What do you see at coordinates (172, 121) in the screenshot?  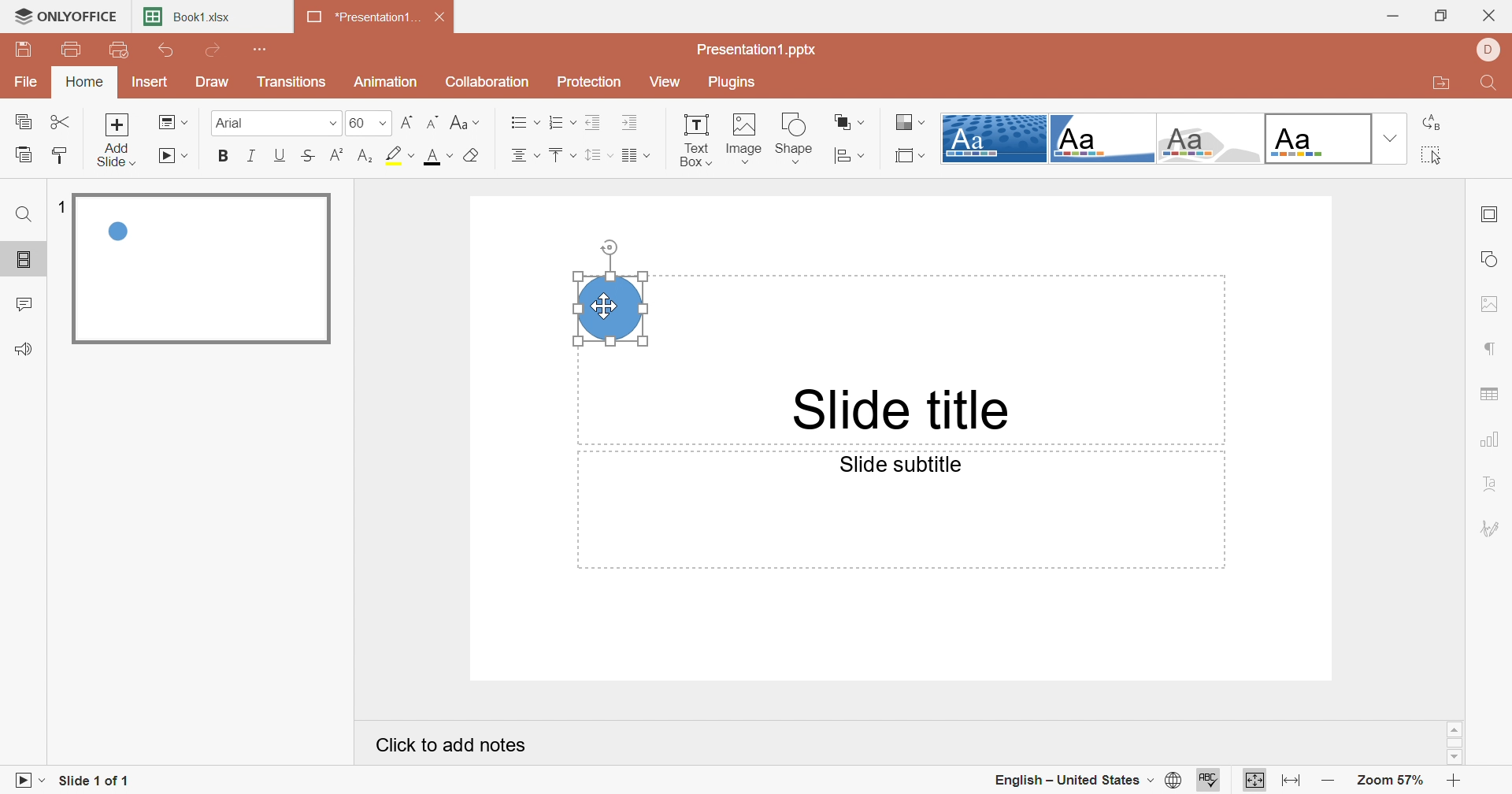 I see `Change slide layout` at bounding box center [172, 121].